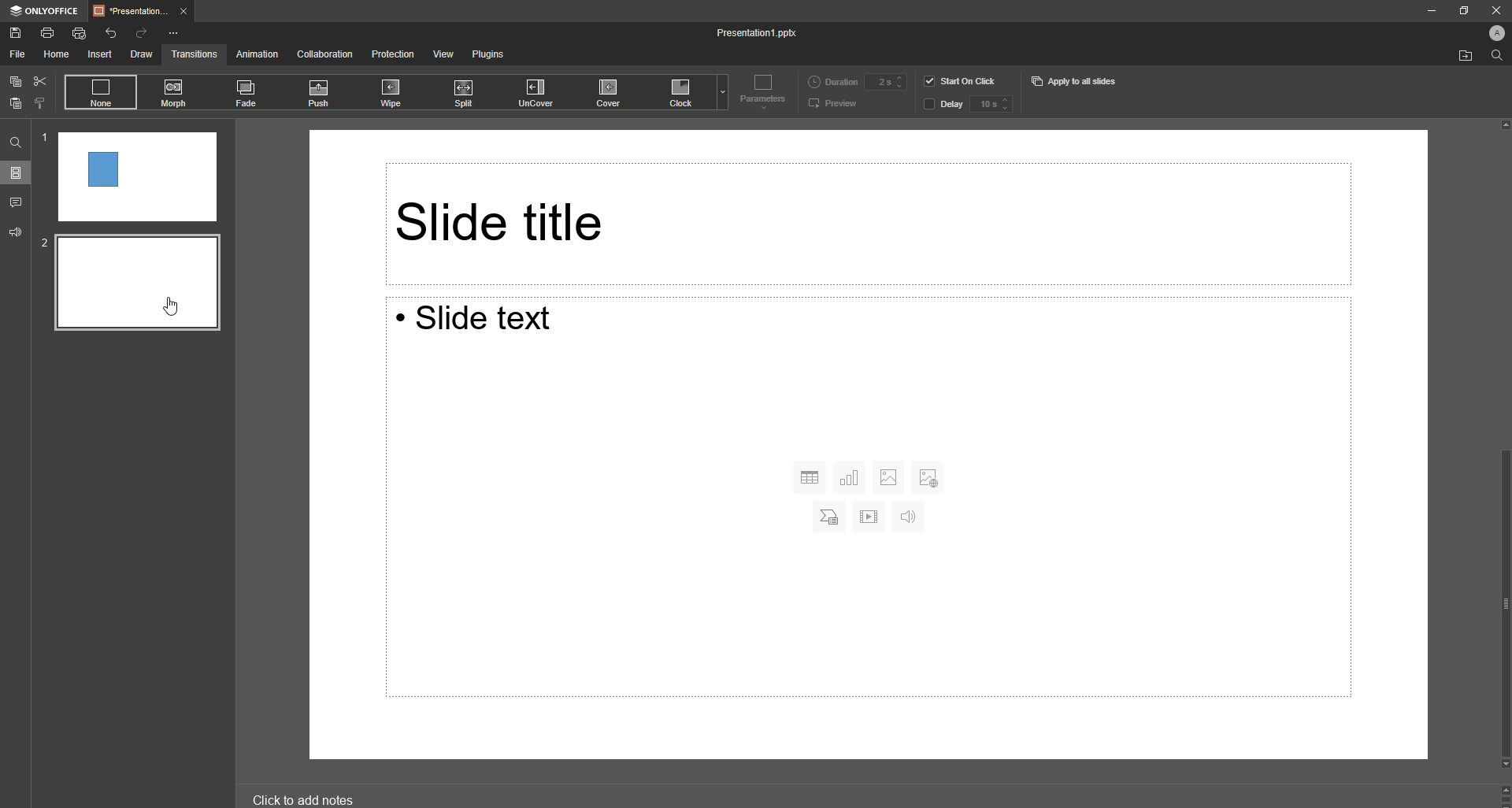 This screenshot has height=808, width=1512. What do you see at coordinates (140, 54) in the screenshot?
I see `Draw` at bounding box center [140, 54].